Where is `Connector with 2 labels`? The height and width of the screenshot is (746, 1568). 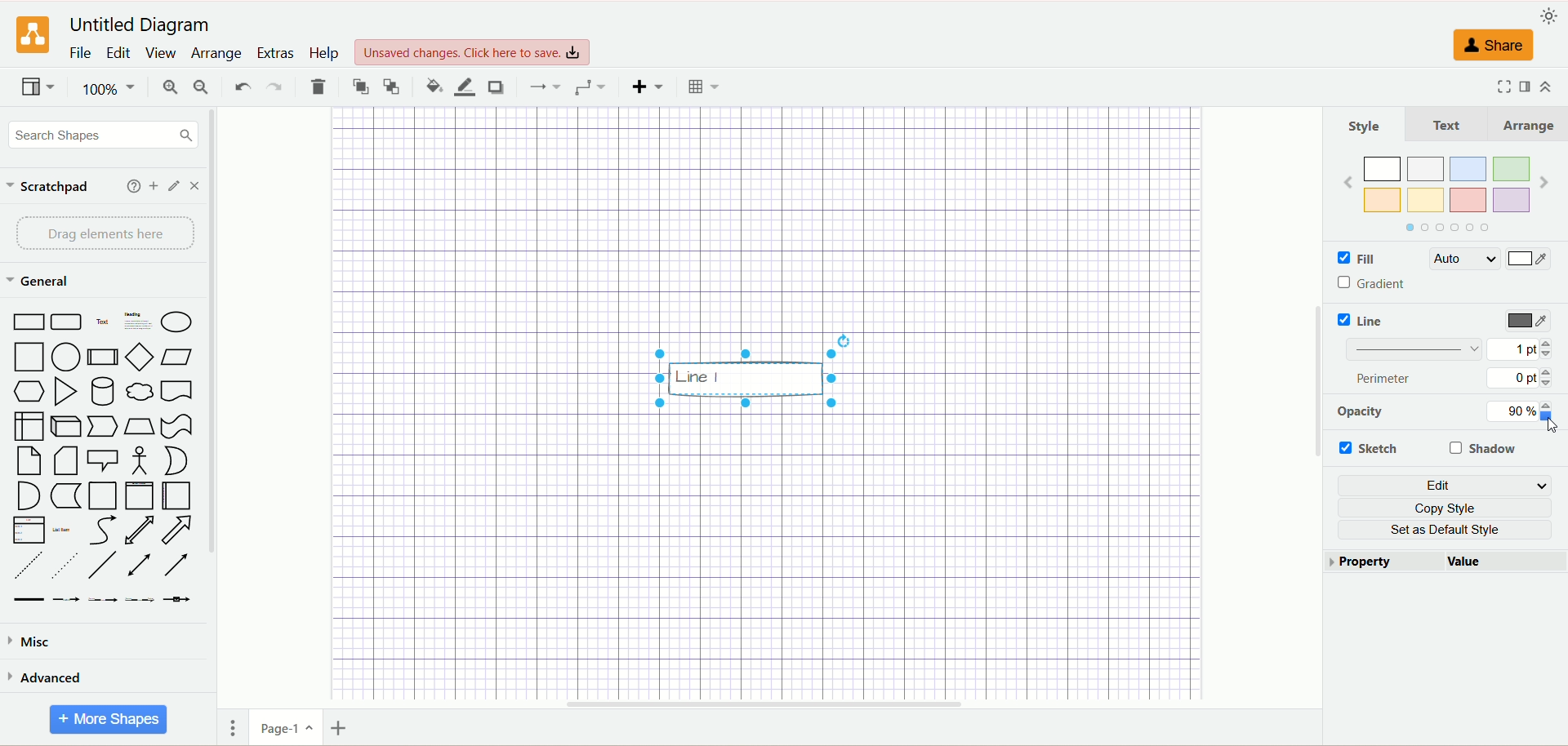
Connector with 2 labels is located at coordinates (100, 601).